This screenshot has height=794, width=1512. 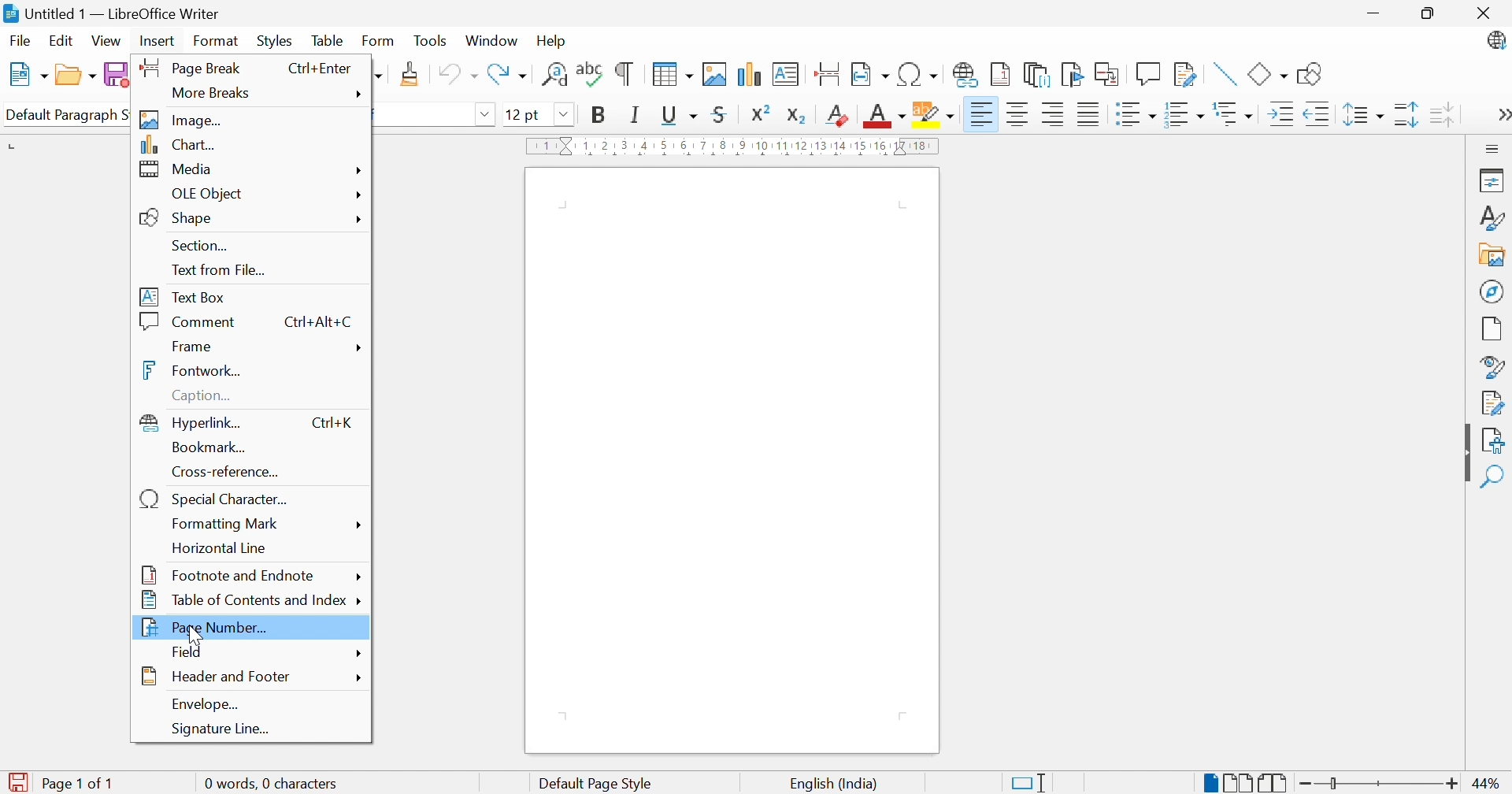 What do you see at coordinates (75, 77) in the screenshot?
I see `Open` at bounding box center [75, 77].